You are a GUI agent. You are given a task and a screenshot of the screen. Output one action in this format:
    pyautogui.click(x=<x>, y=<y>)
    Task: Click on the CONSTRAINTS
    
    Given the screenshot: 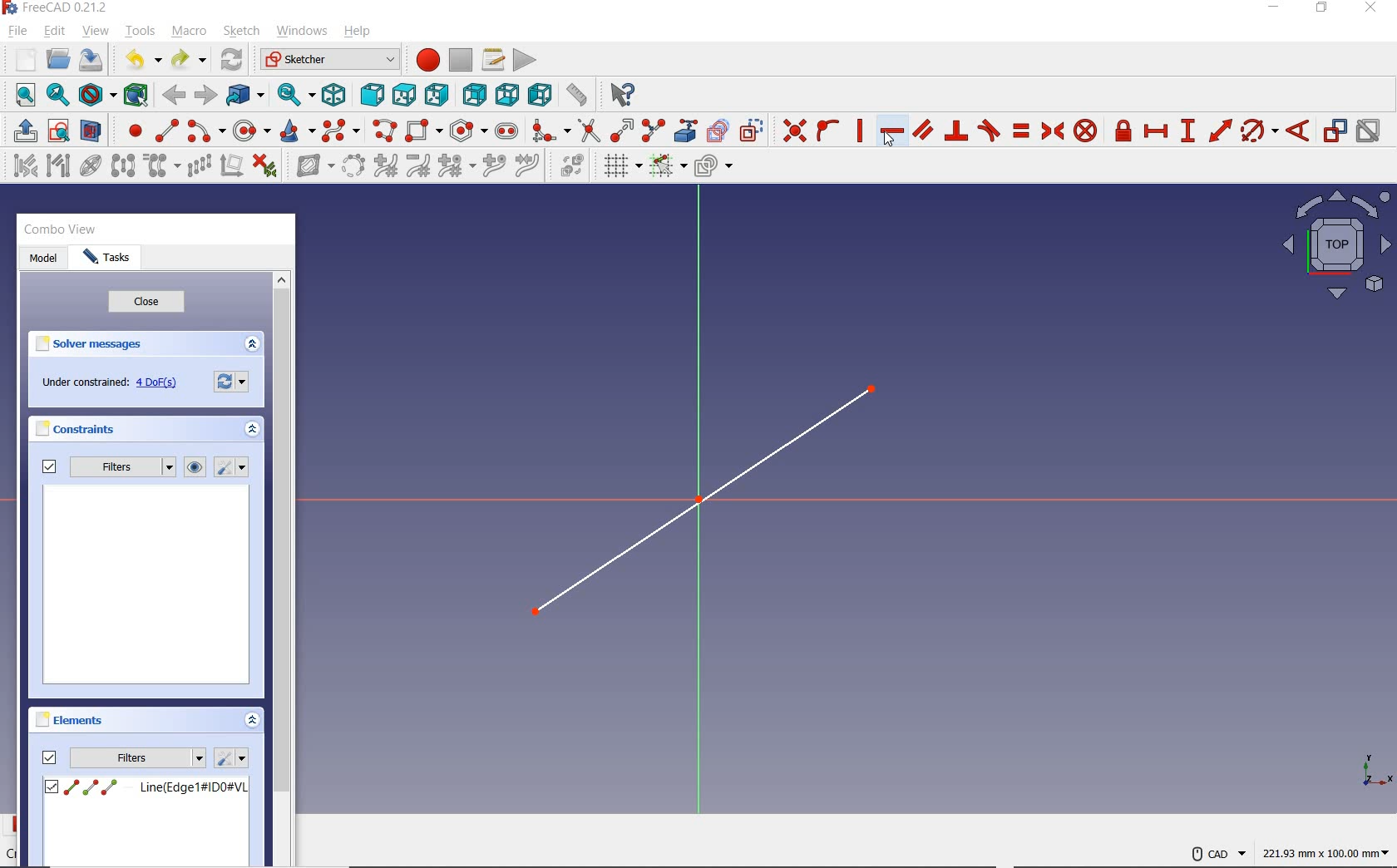 What is the action you would take?
    pyautogui.click(x=74, y=427)
    